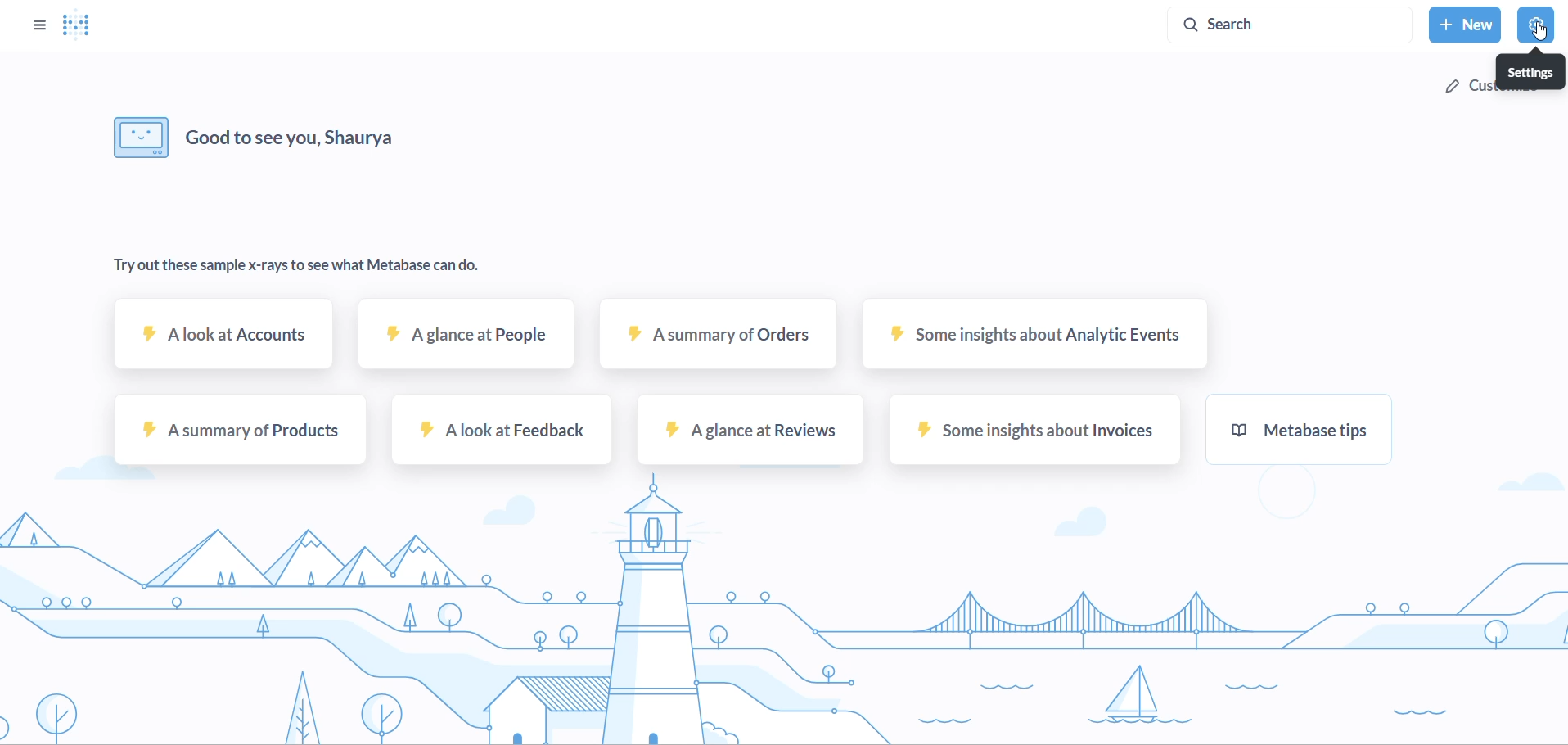  Describe the element at coordinates (304, 267) in the screenshot. I see `Try out these sample x-rays to see what Metabase can do.` at that location.